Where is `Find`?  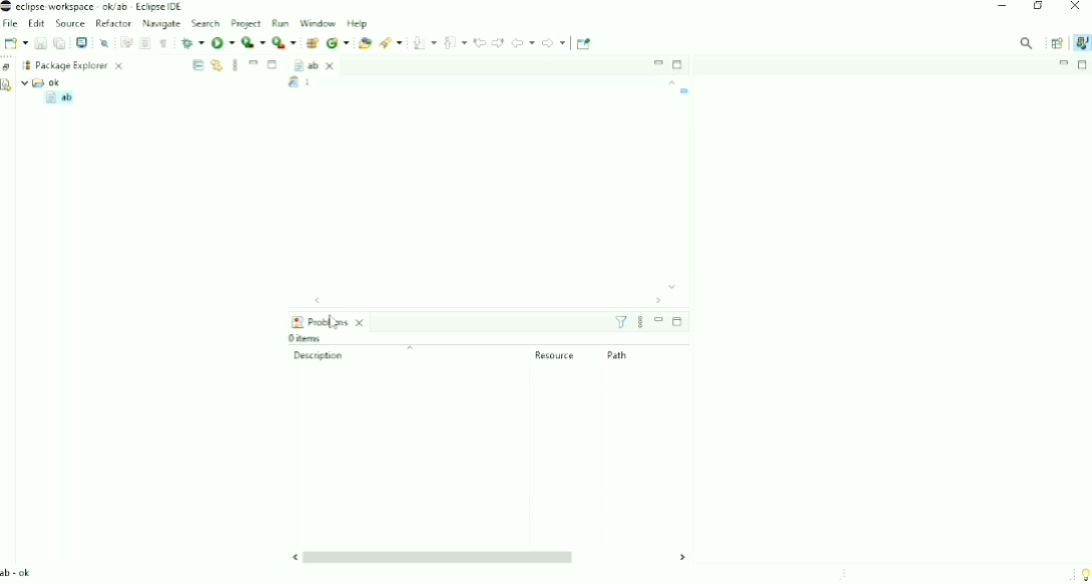
Find is located at coordinates (1027, 43).